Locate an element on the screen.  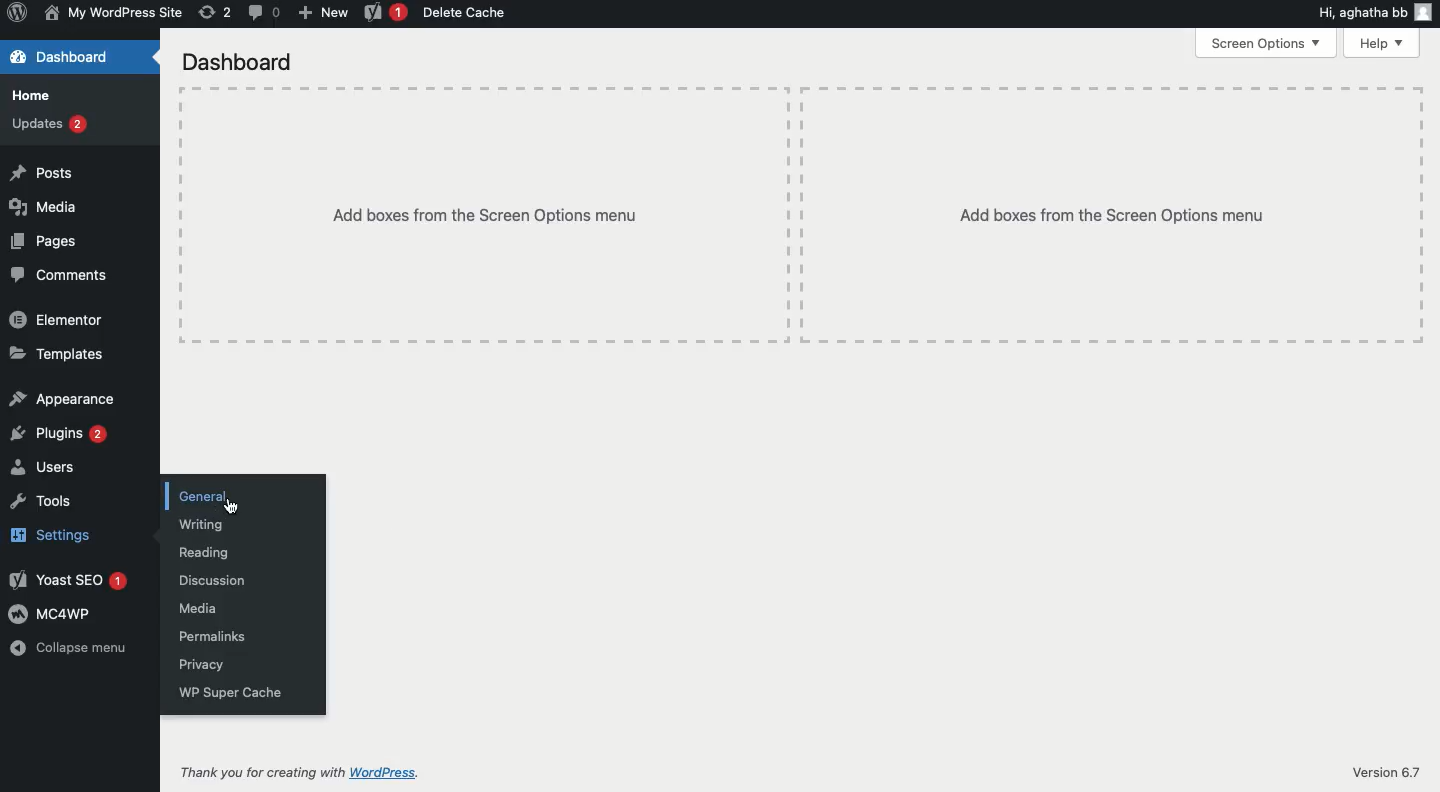
Cursor is located at coordinates (231, 505).